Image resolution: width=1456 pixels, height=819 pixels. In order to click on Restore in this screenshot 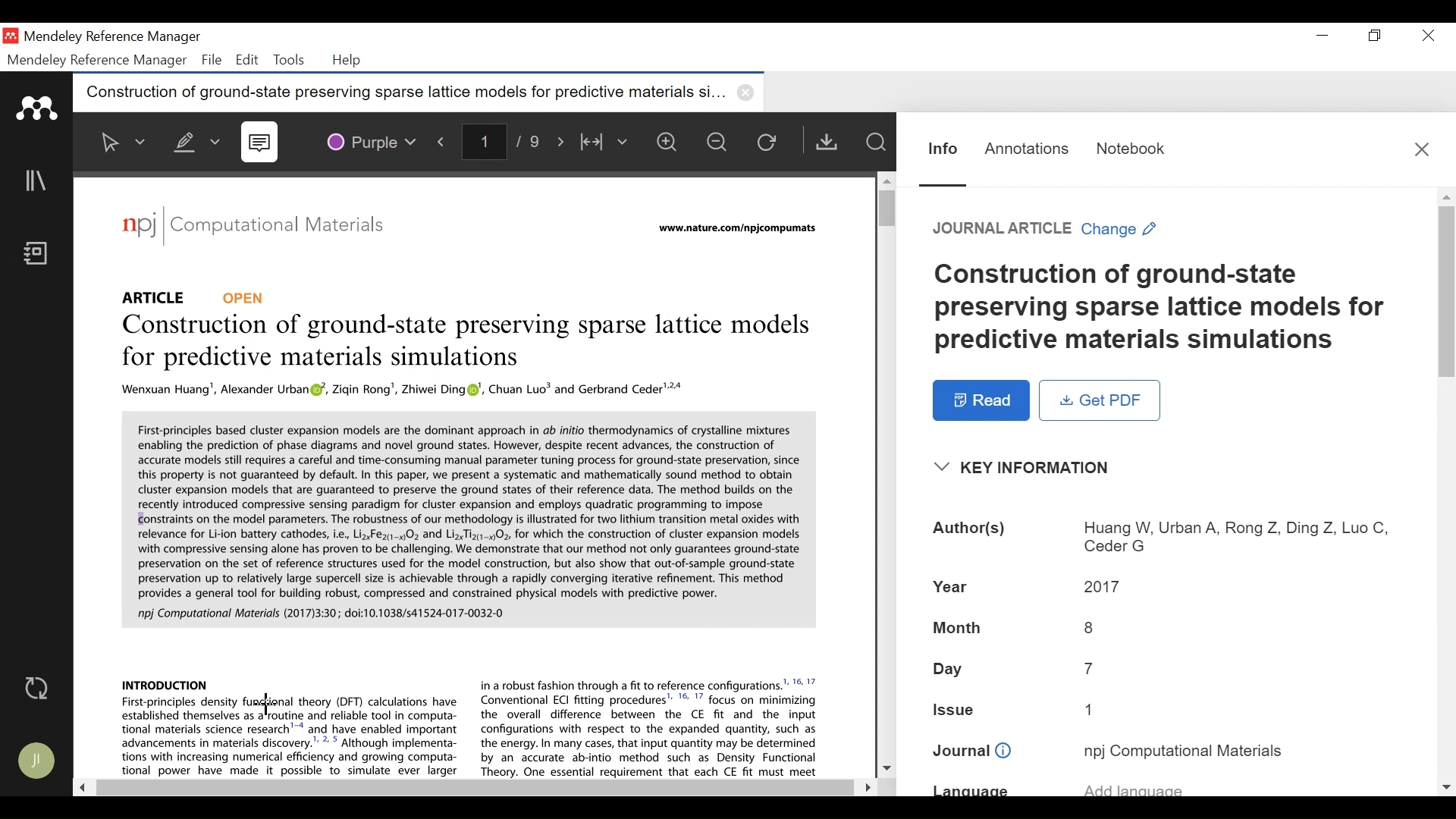, I will do `click(1373, 36)`.